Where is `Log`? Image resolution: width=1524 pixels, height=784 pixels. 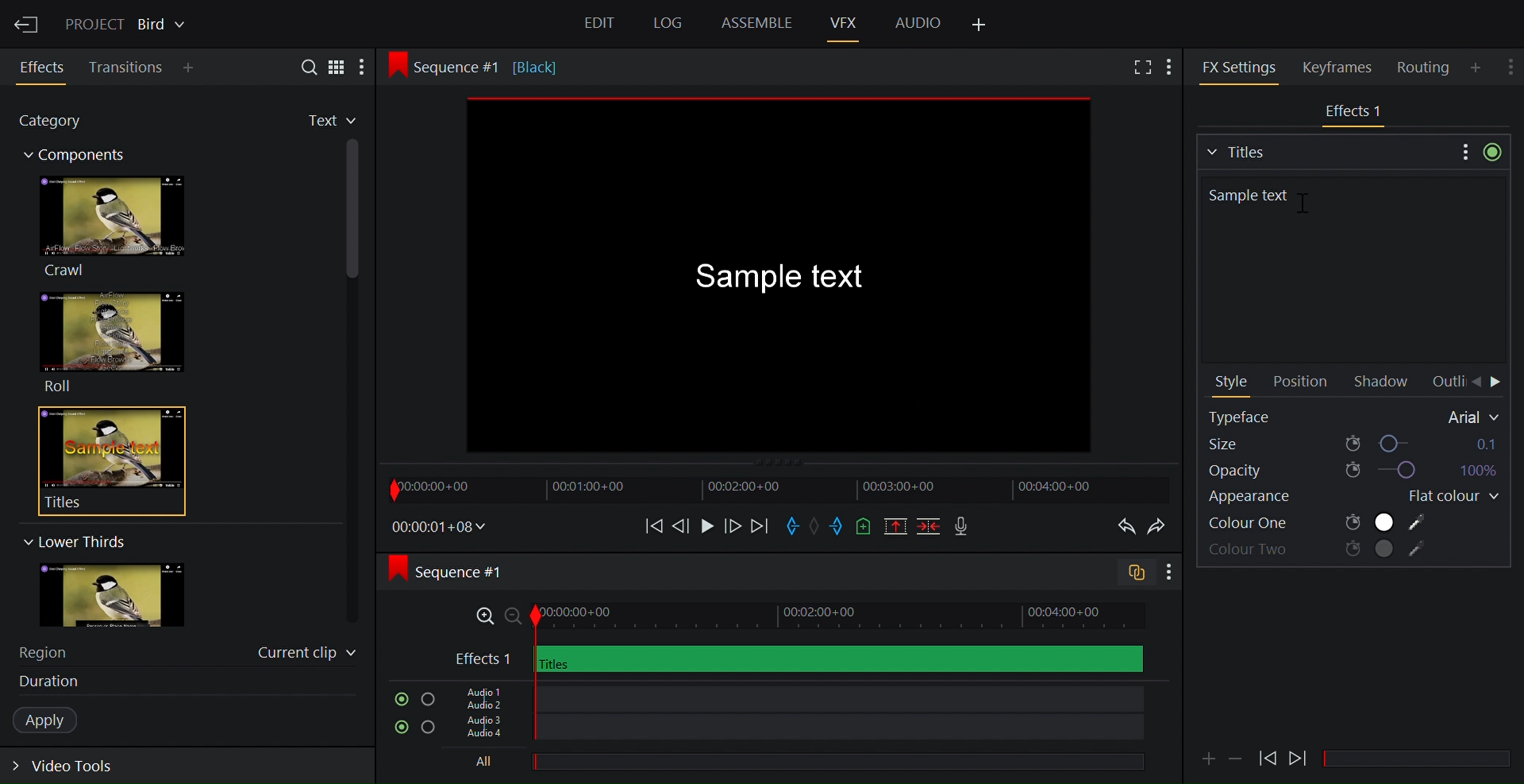 Log is located at coordinates (665, 24).